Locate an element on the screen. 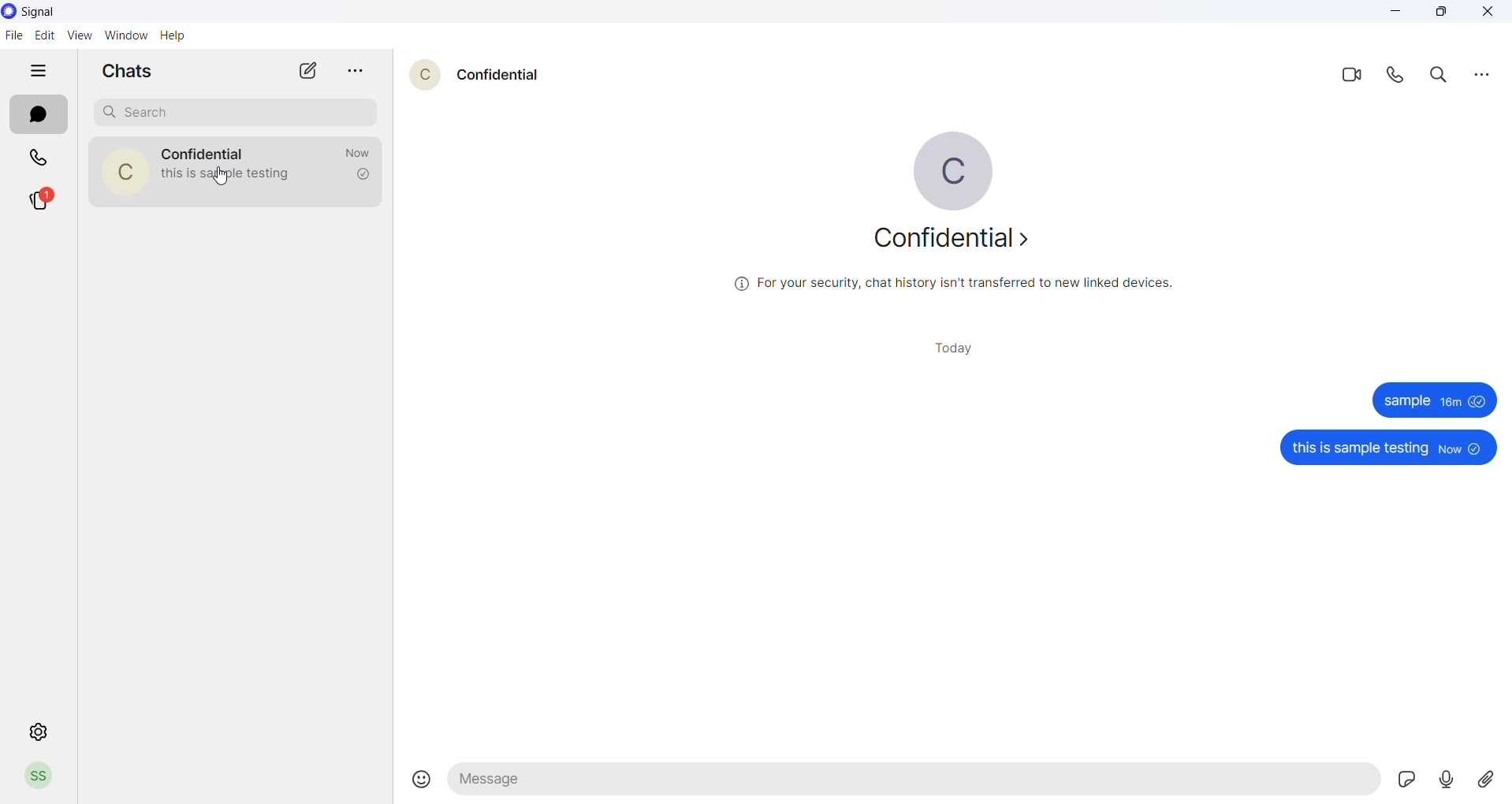 This screenshot has width=1512, height=804. this is sample testing is located at coordinates (1358, 449).